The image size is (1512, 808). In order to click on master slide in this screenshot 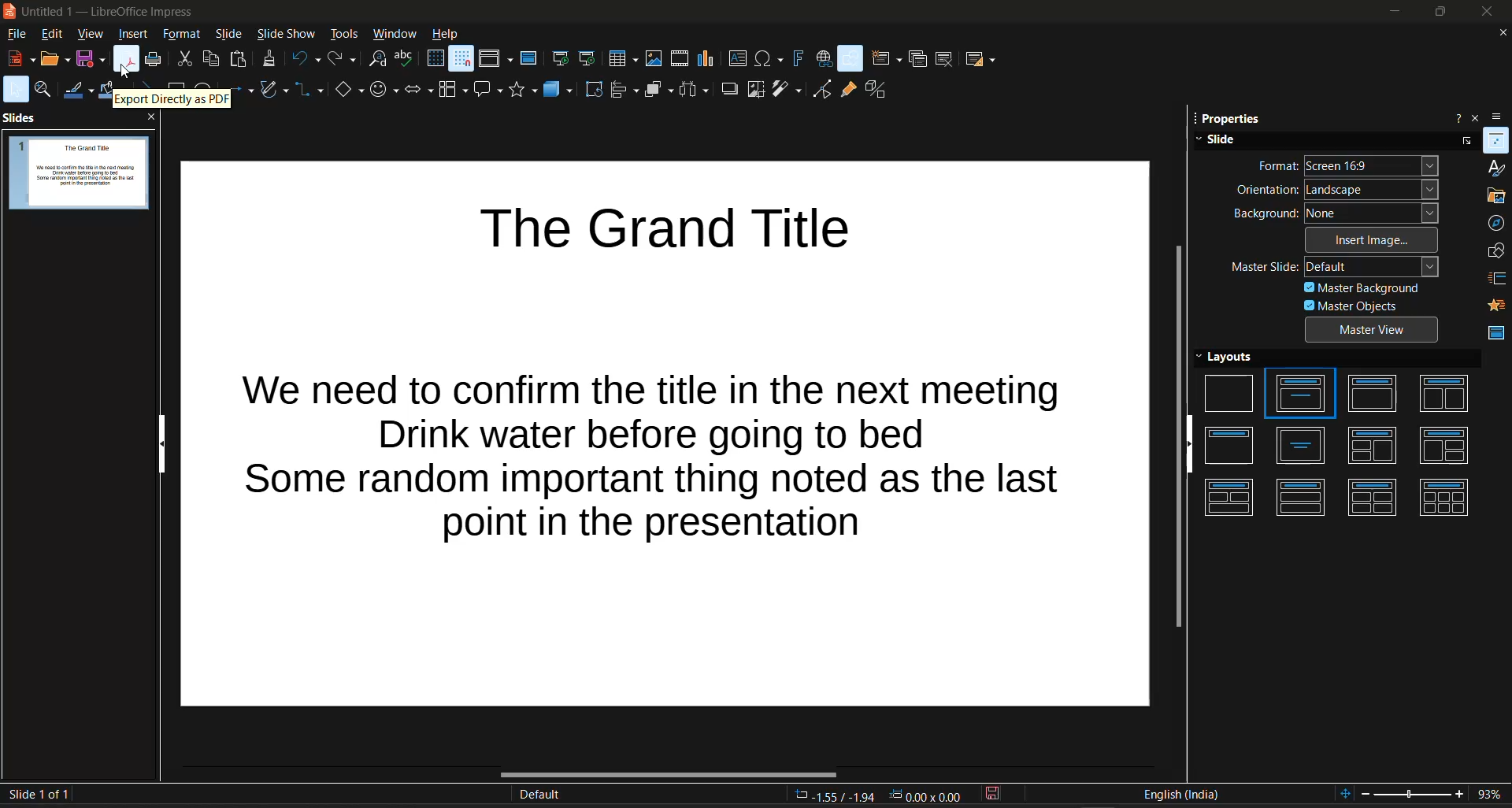, I will do `click(1336, 266)`.